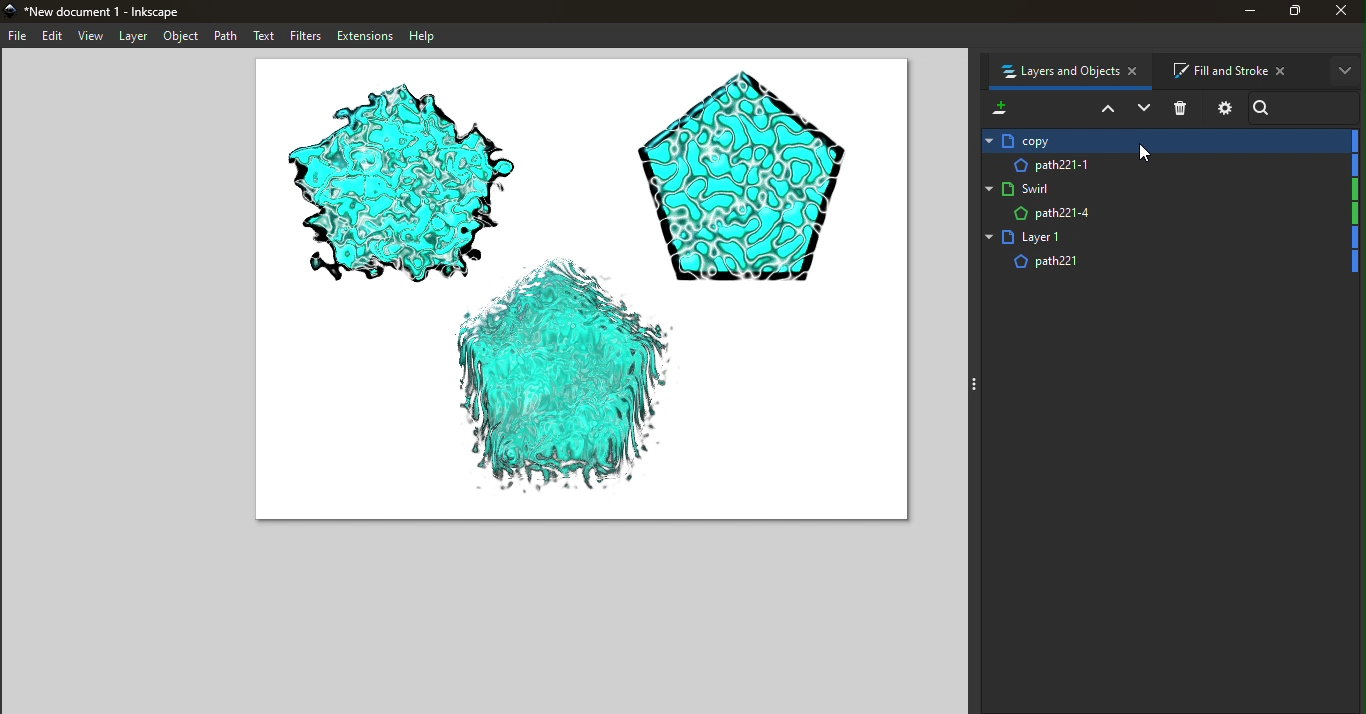  I want to click on Delete selected item, so click(1182, 109).